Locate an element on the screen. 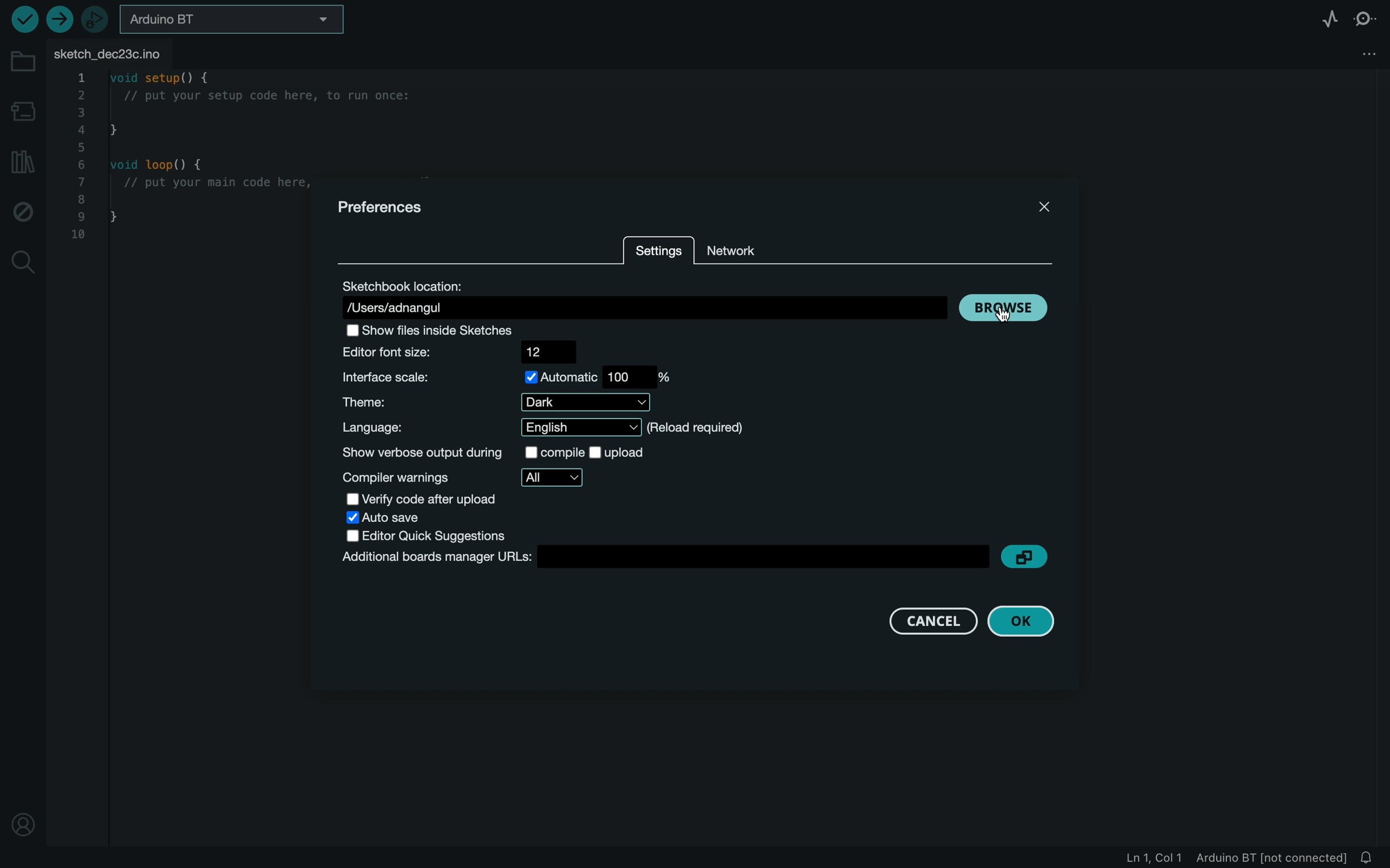  board selector is located at coordinates (232, 22).